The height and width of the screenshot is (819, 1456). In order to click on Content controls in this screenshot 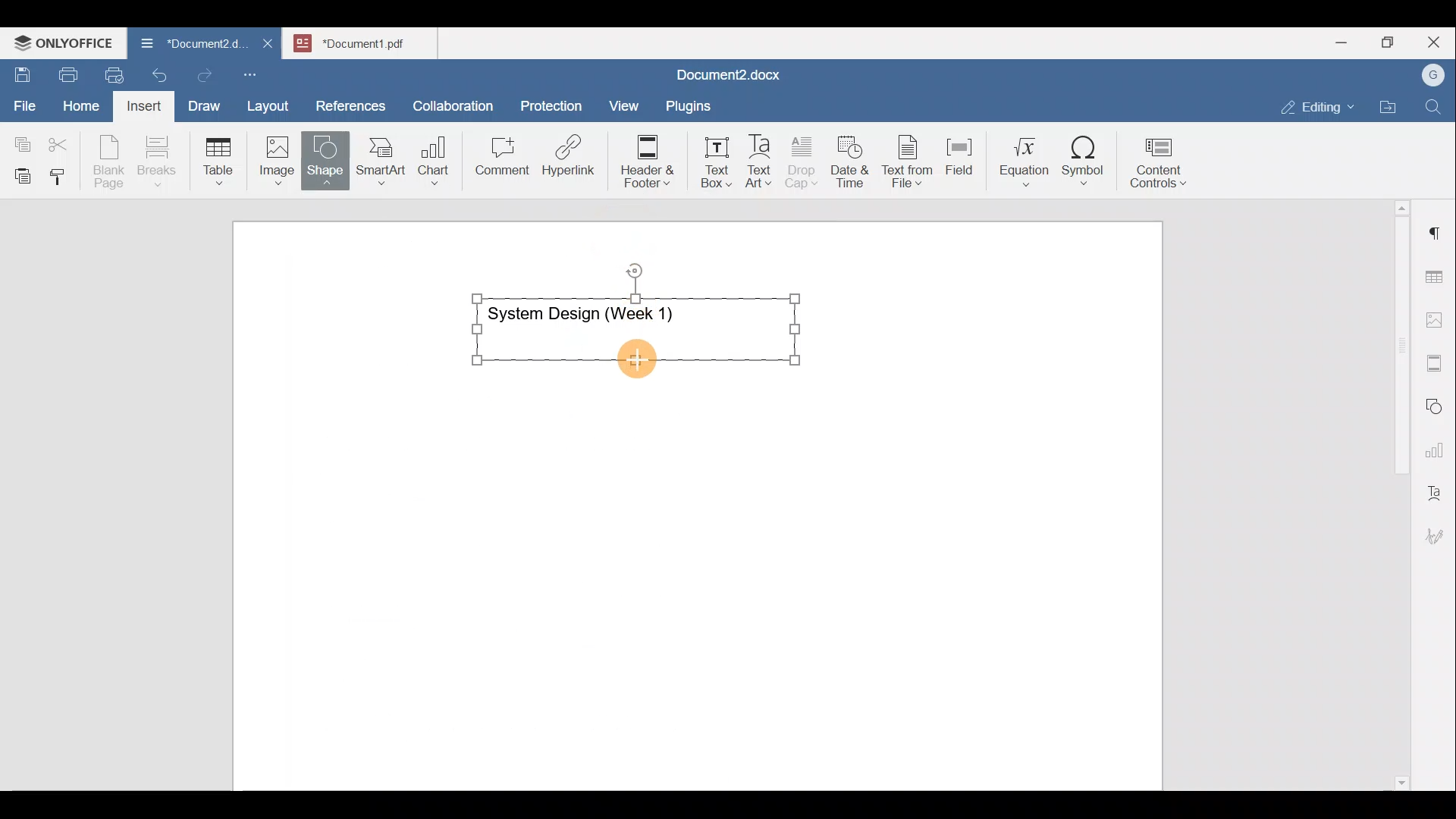, I will do `click(1161, 168)`.